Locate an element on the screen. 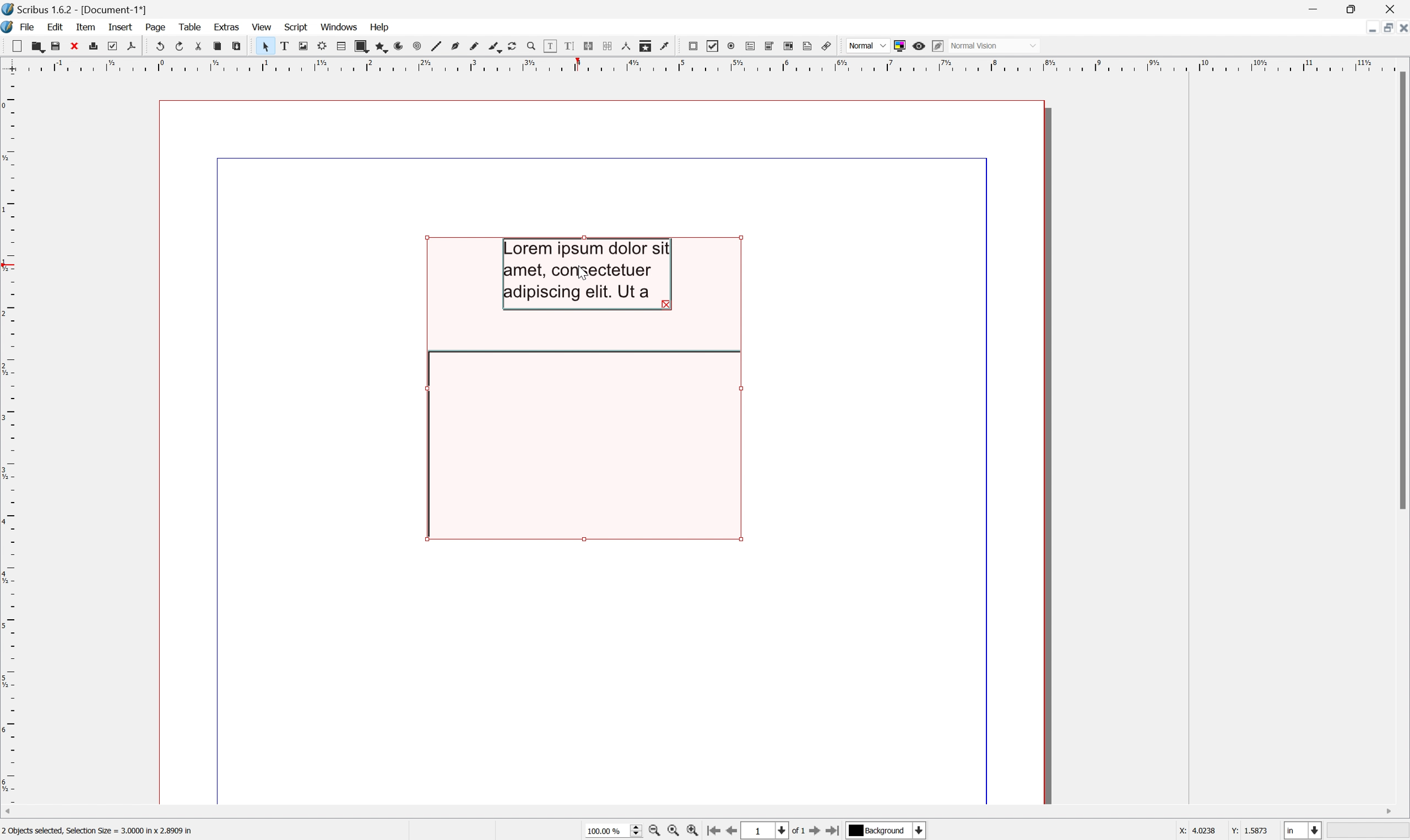  Go to the next page is located at coordinates (815, 830).